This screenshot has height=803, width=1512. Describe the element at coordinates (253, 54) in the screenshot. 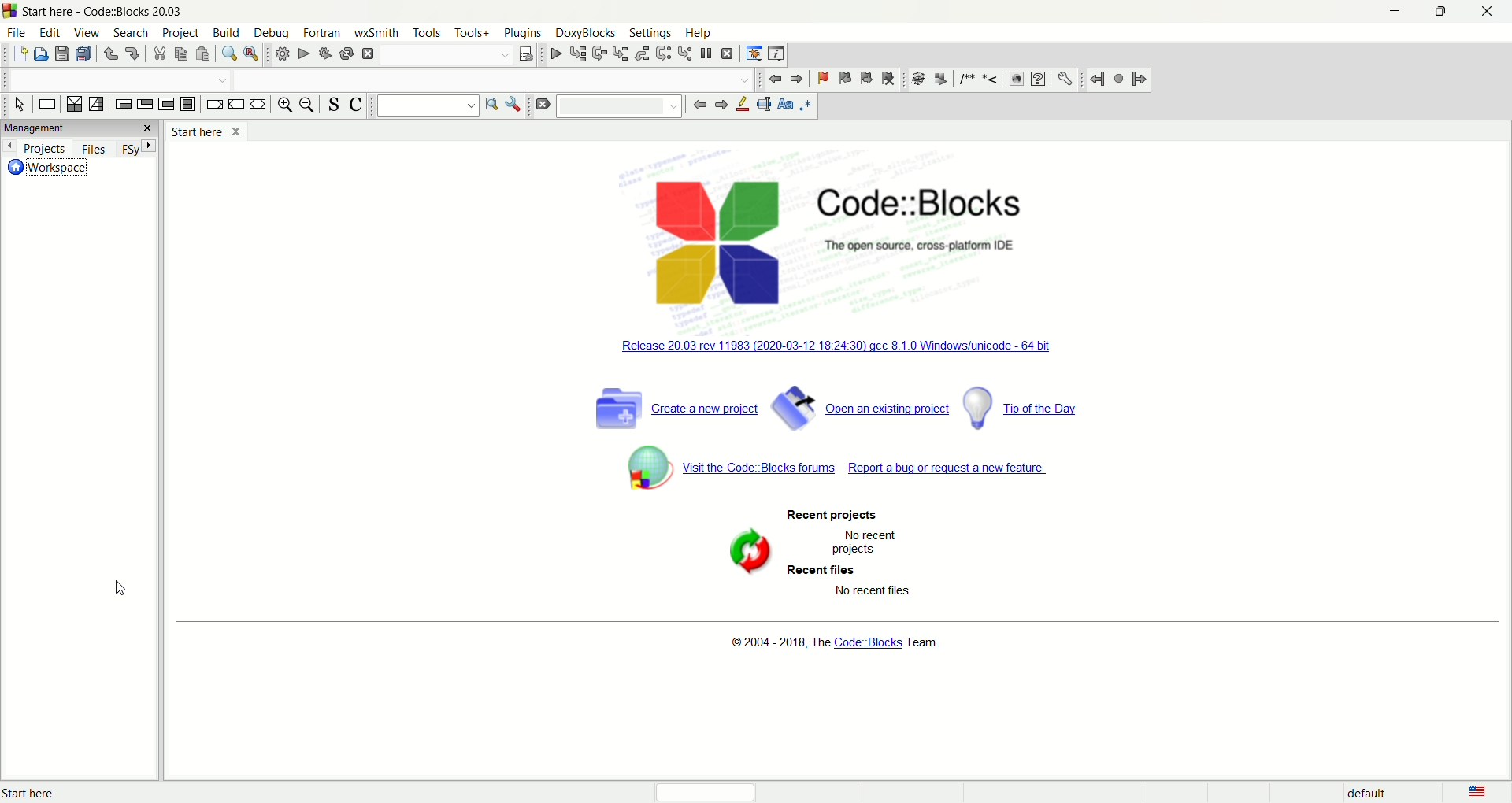

I see `replace` at that location.